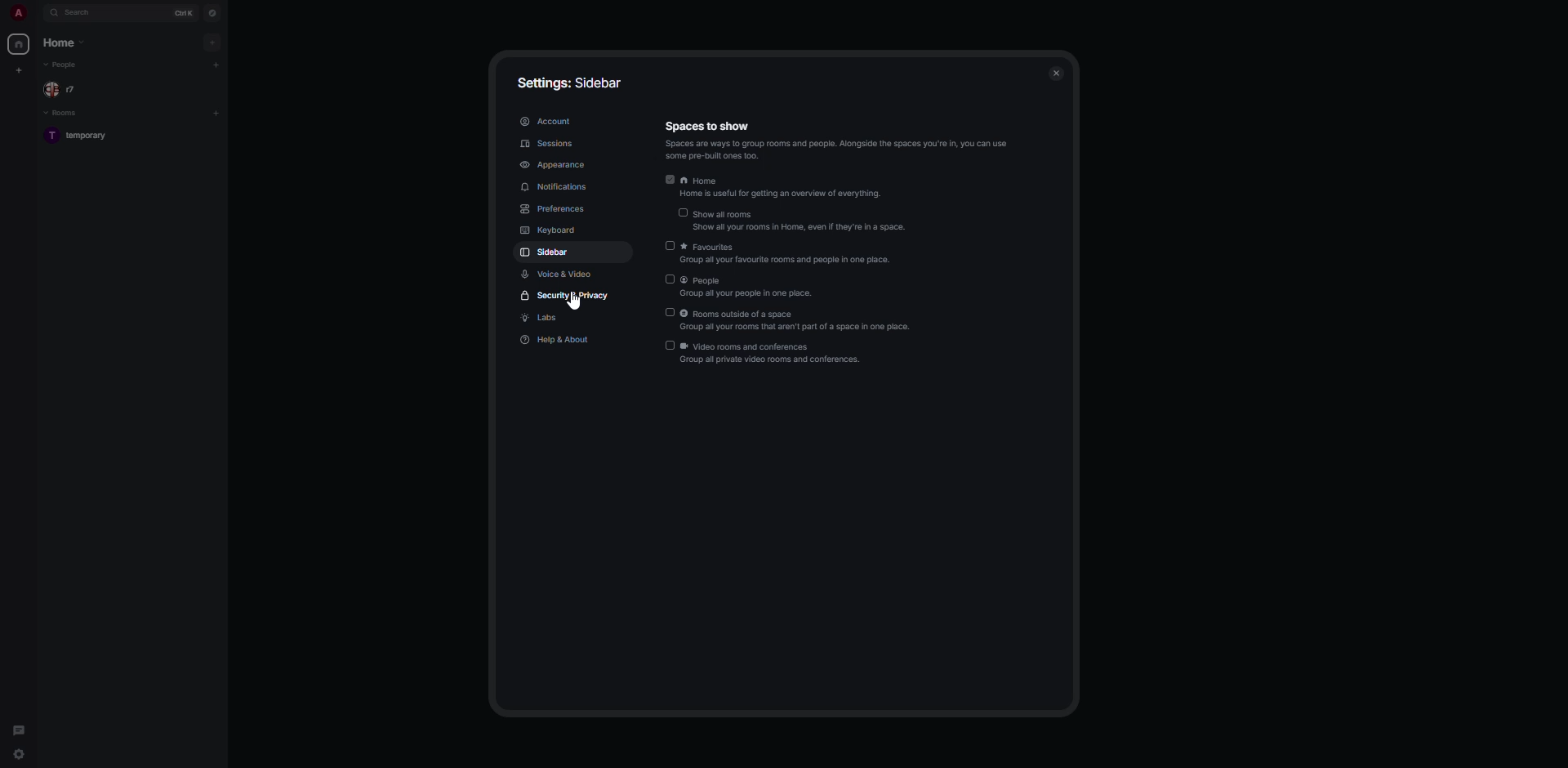 The image size is (1568, 768). Describe the element at coordinates (575, 304) in the screenshot. I see `cursor` at that location.